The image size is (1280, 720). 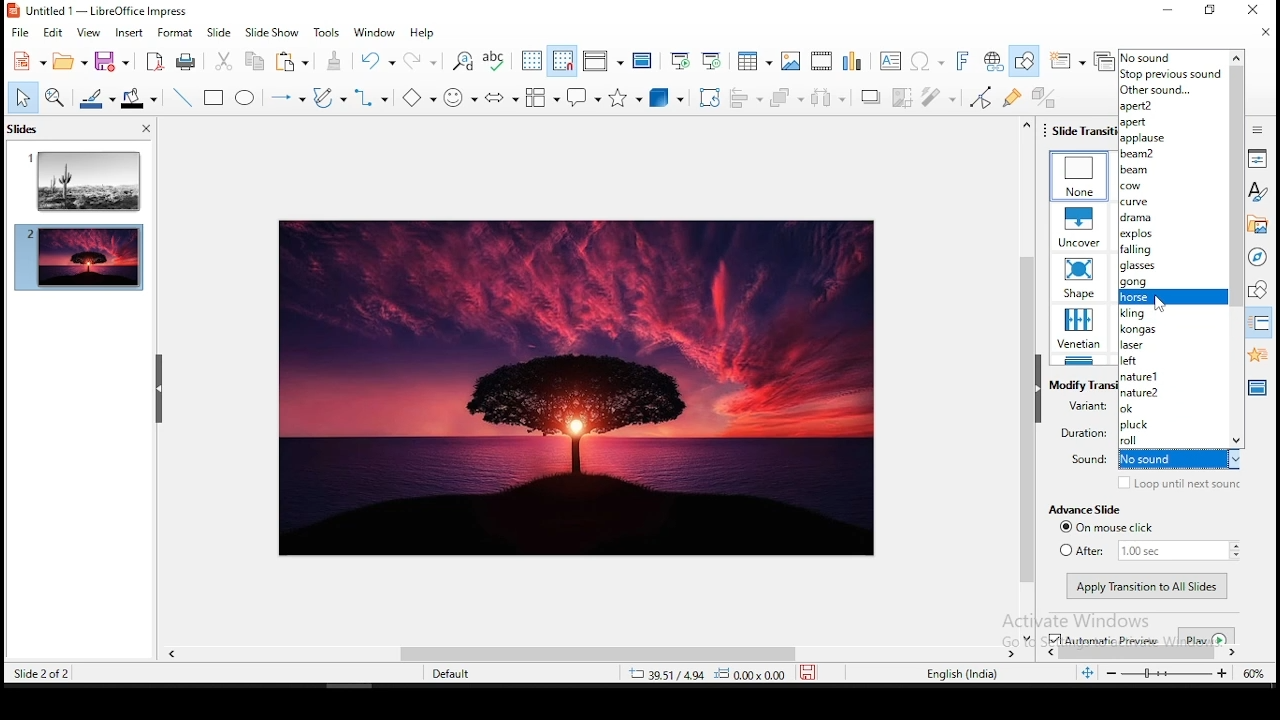 I want to click on loop until next sound, so click(x=1179, y=483).